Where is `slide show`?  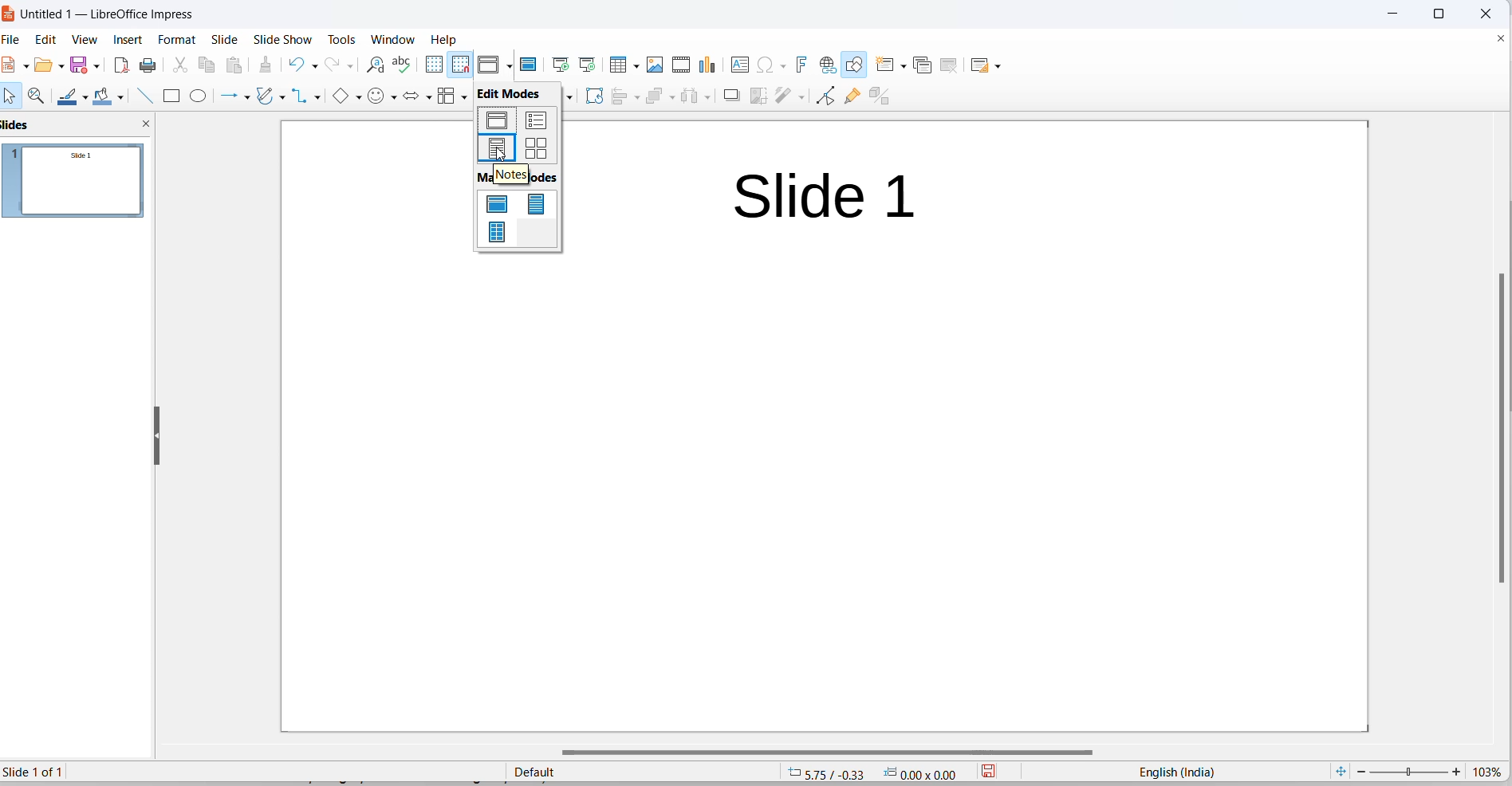 slide show is located at coordinates (283, 40).